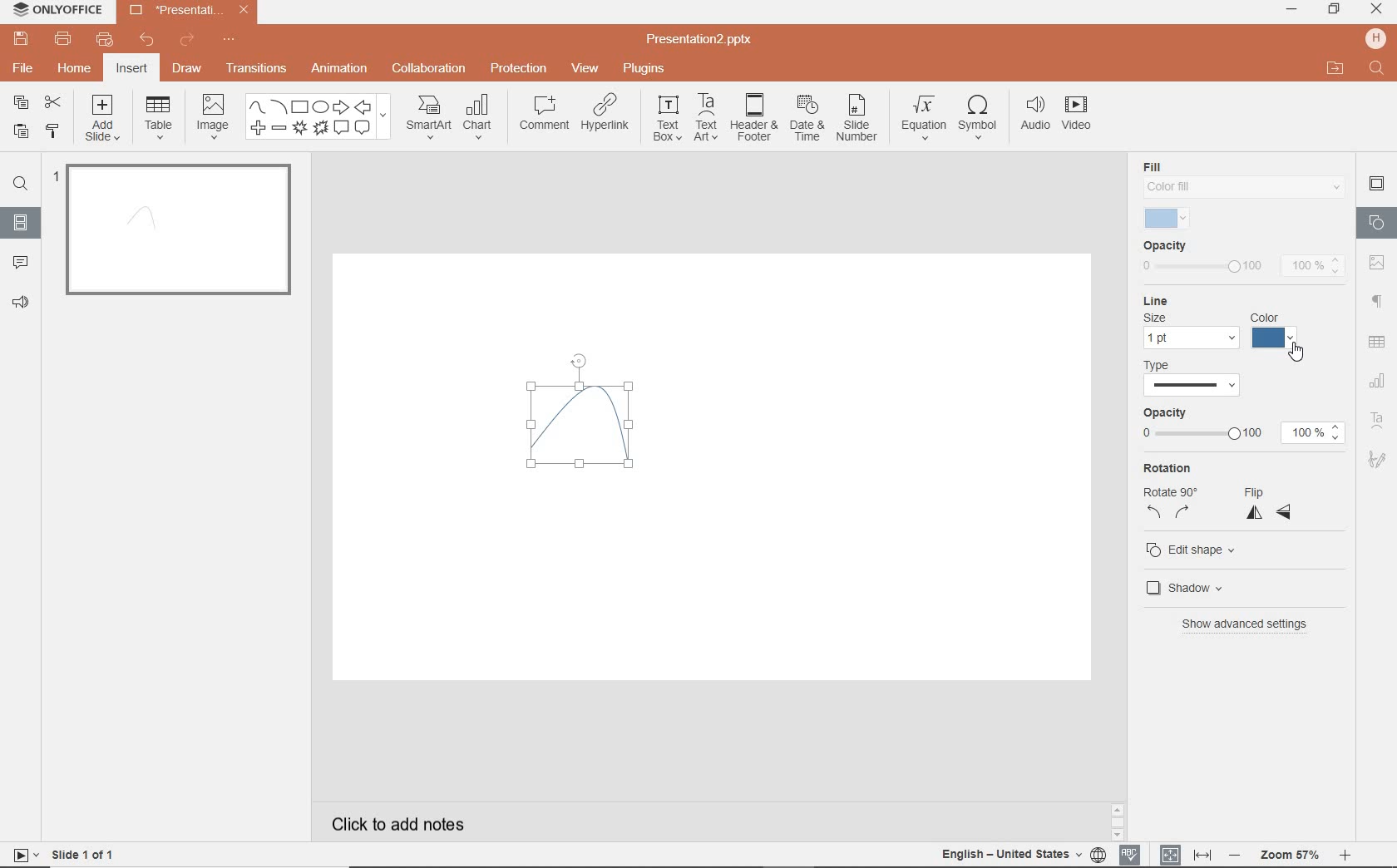  What do you see at coordinates (1379, 421) in the screenshot?
I see `TEXT ART SETTINGS` at bounding box center [1379, 421].